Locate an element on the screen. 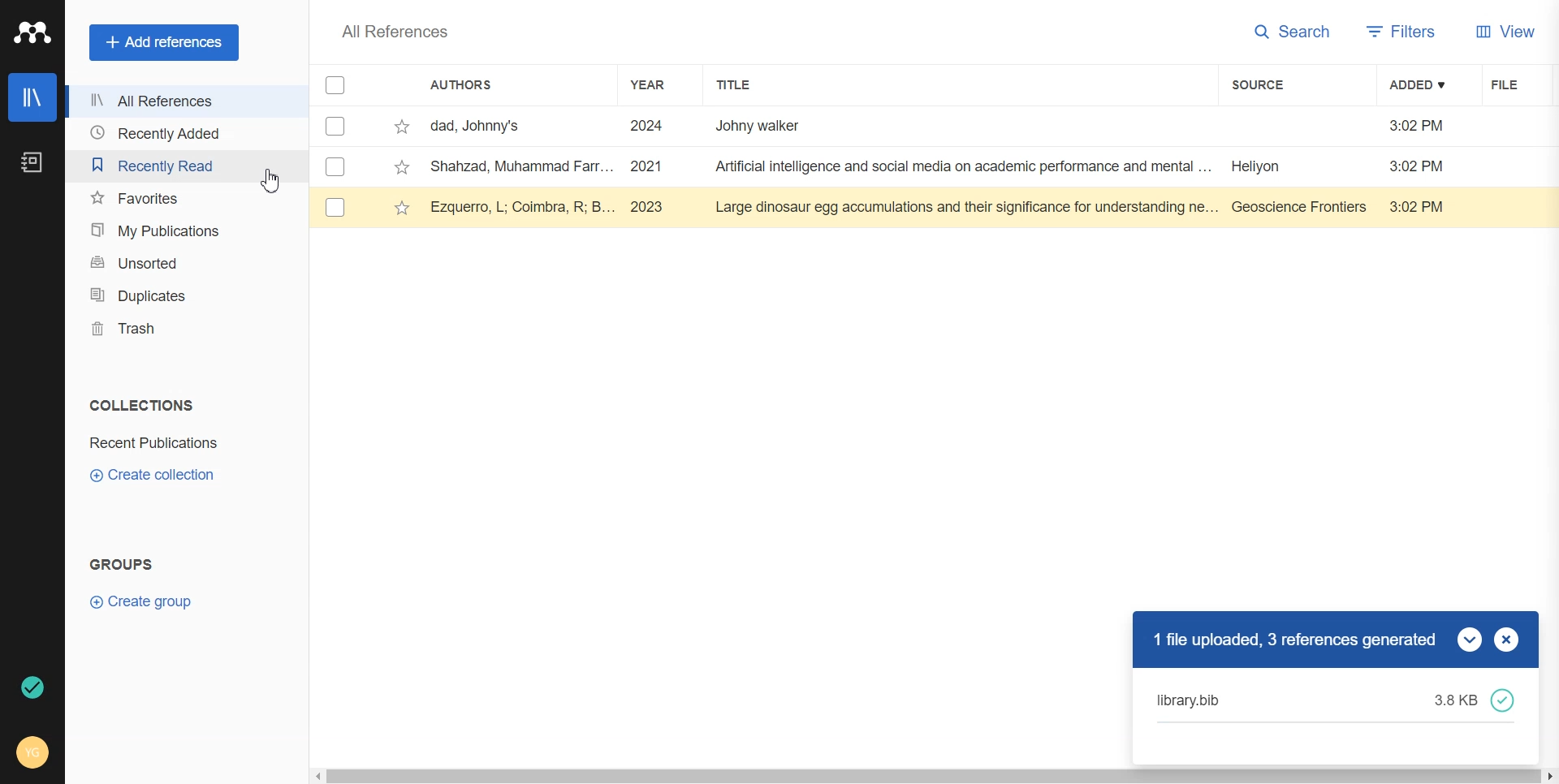 The width and height of the screenshot is (1559, 784). Drop down box is located at coordinates (1471, 638).